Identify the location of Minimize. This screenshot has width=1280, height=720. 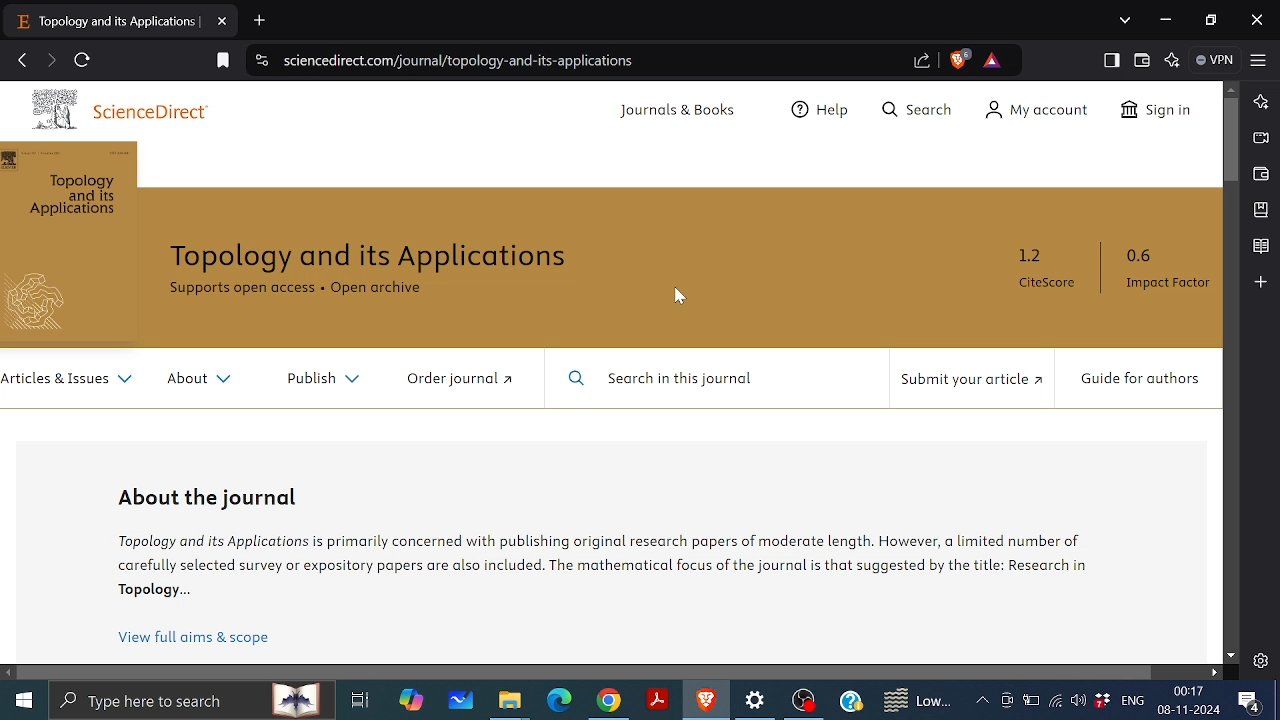
(1168, 20).